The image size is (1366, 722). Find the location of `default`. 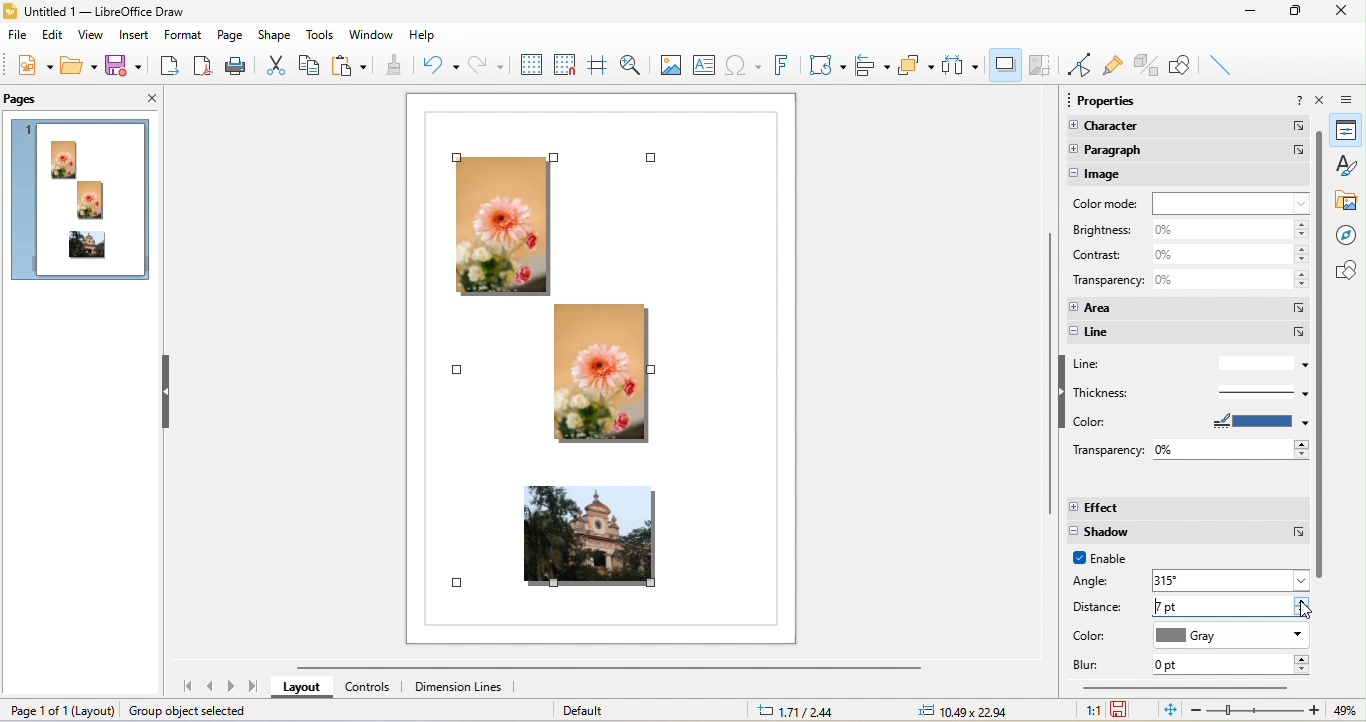

default is located at coordinates (600, 709).